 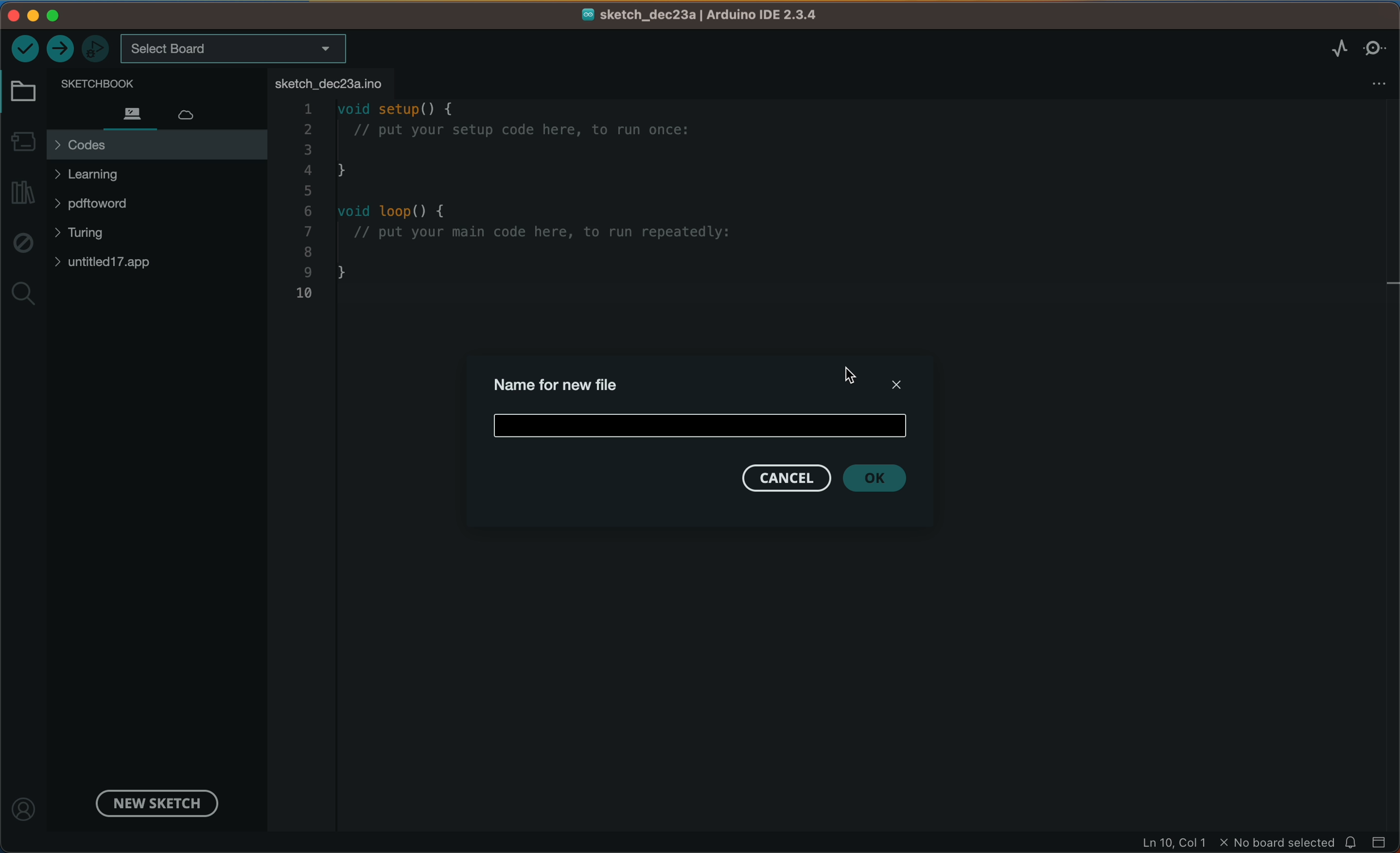 What do you see at coordinates (893, 382) in the screenshot?
I see `close` at bounding box center [893, 382].